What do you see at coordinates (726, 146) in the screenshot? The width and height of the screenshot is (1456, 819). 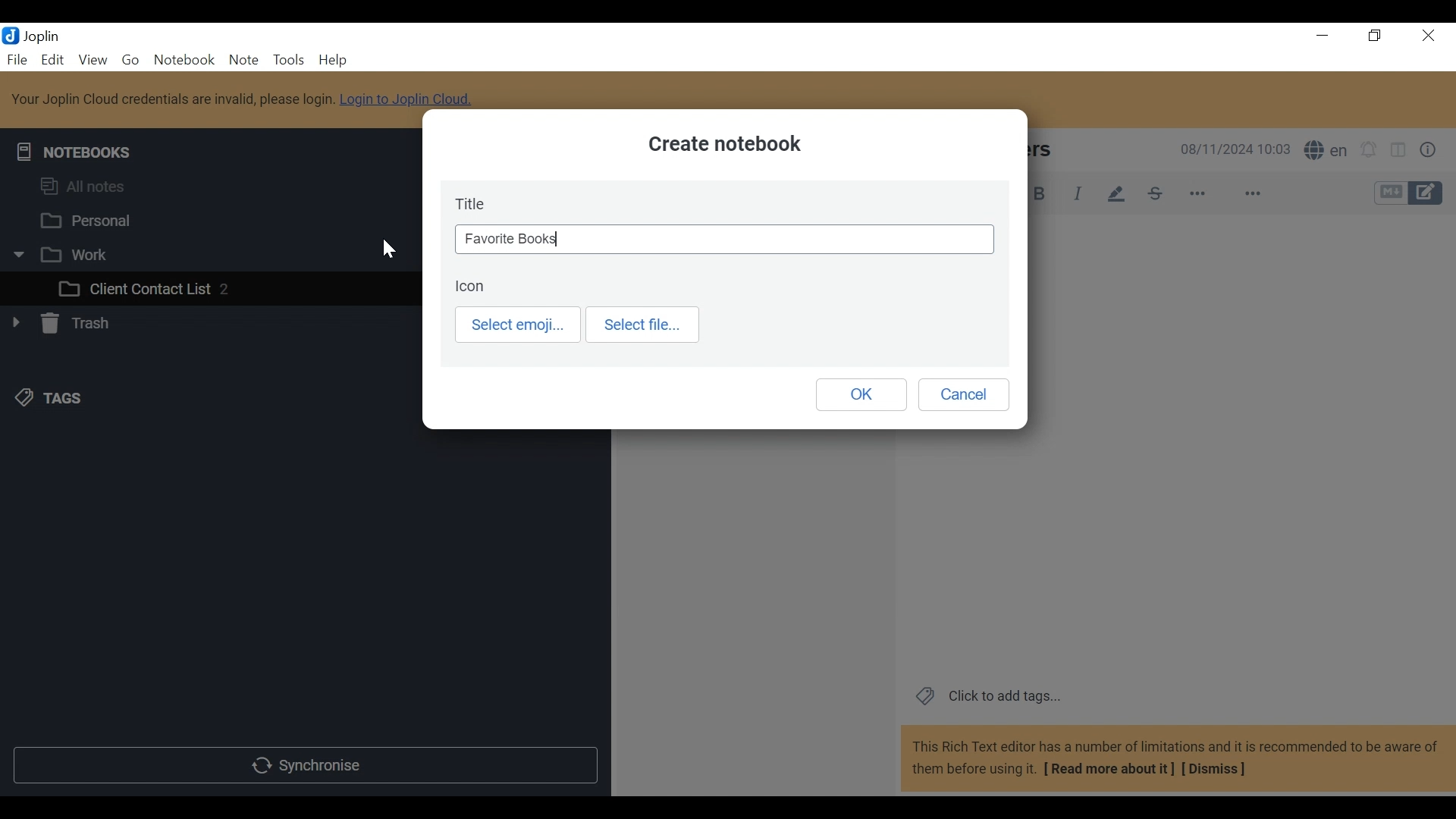 I see `Create notebook` at bounding box center [726, 146].